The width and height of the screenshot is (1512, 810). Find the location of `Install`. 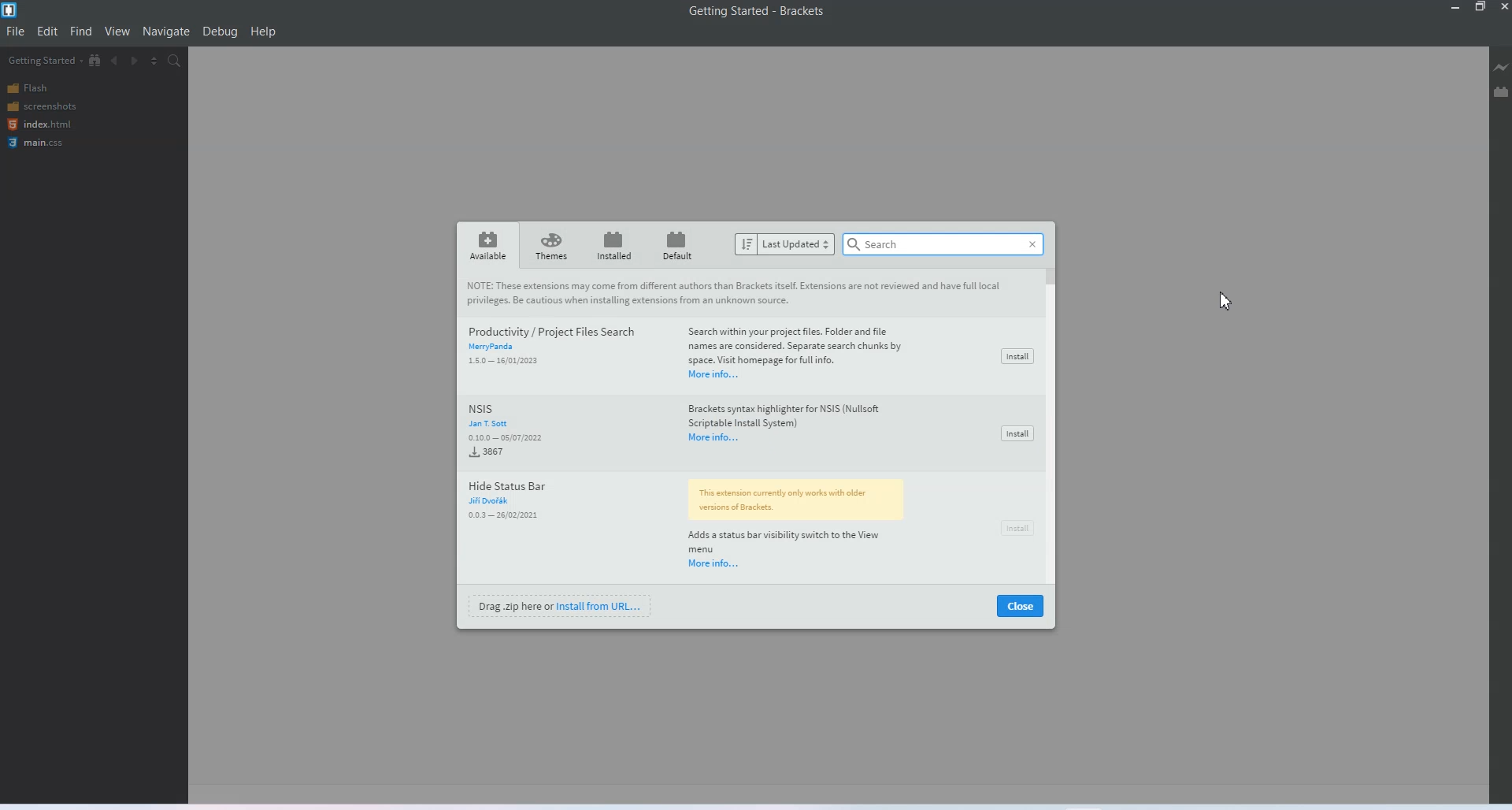

Install is located at coordinates (1017, 527).